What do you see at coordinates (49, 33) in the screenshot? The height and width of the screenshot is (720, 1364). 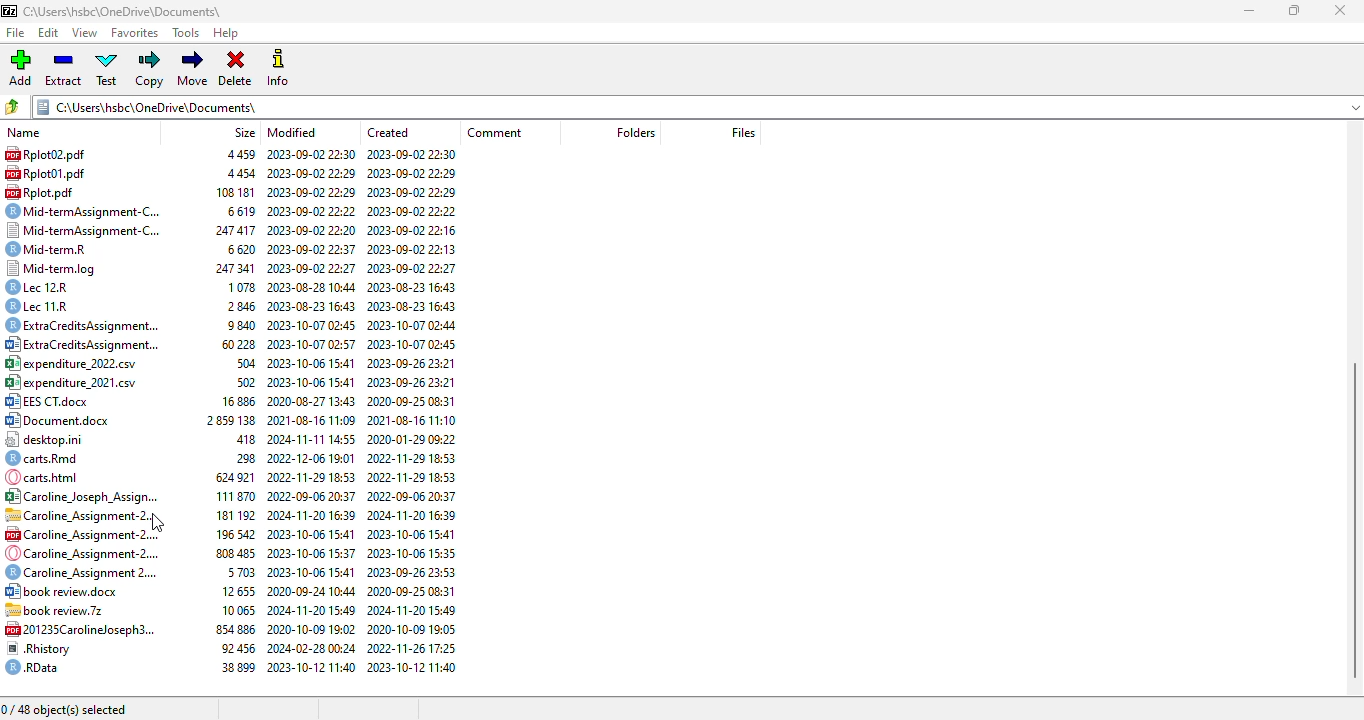 I see `edit` at bounding box center [49, 33].